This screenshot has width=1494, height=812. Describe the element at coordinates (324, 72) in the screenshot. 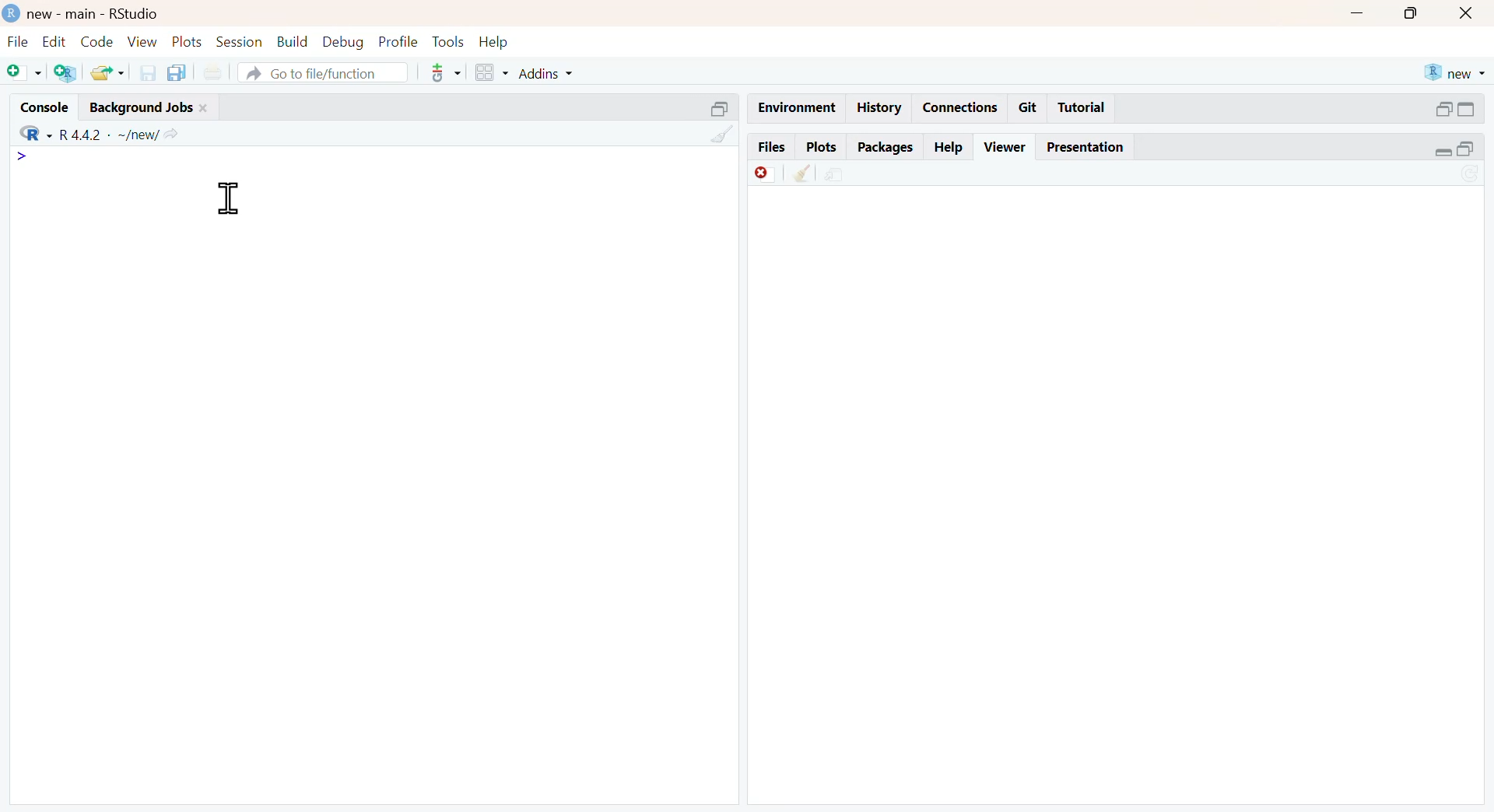

I see `go to file/function` at that location.